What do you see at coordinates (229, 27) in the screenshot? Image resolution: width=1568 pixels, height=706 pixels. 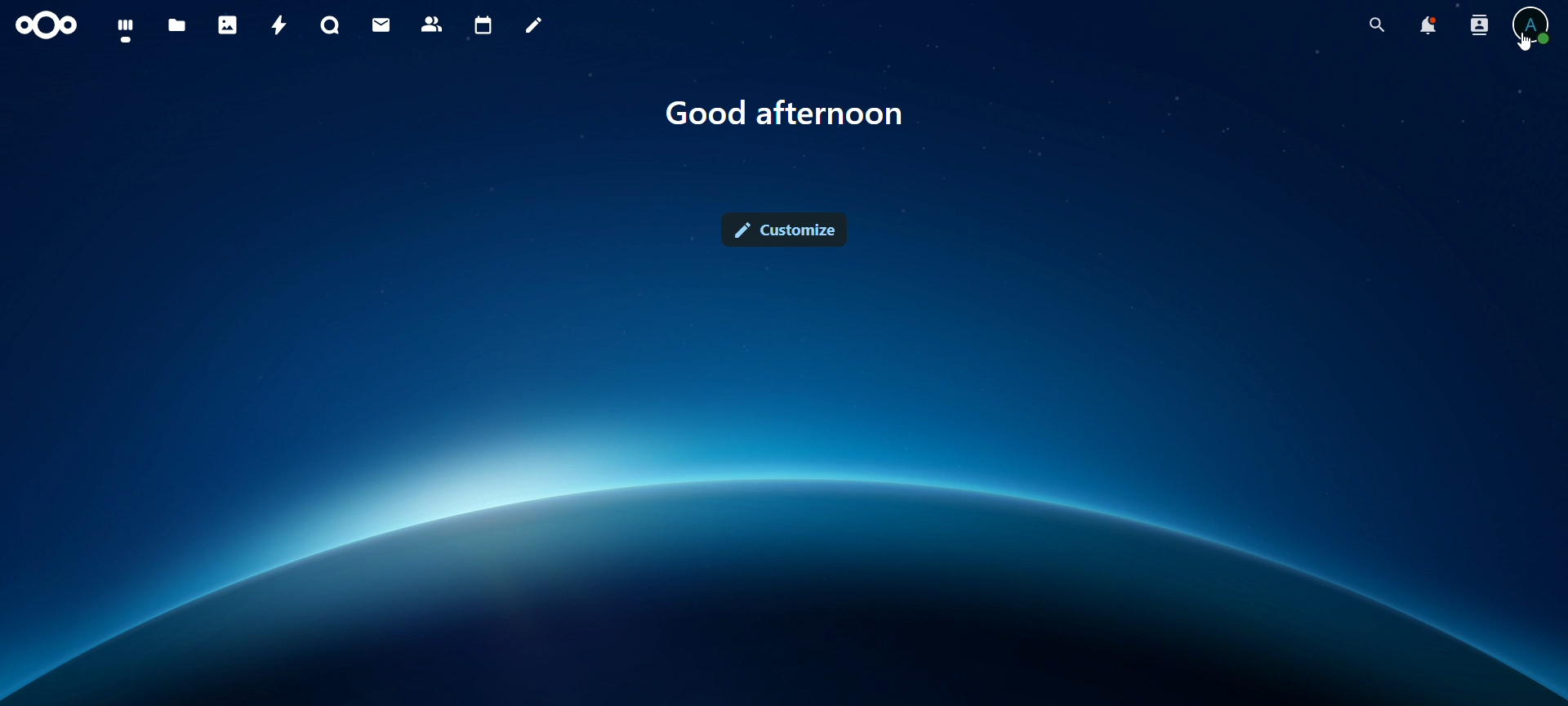 I see `photos` at bounding box center [229, 27].